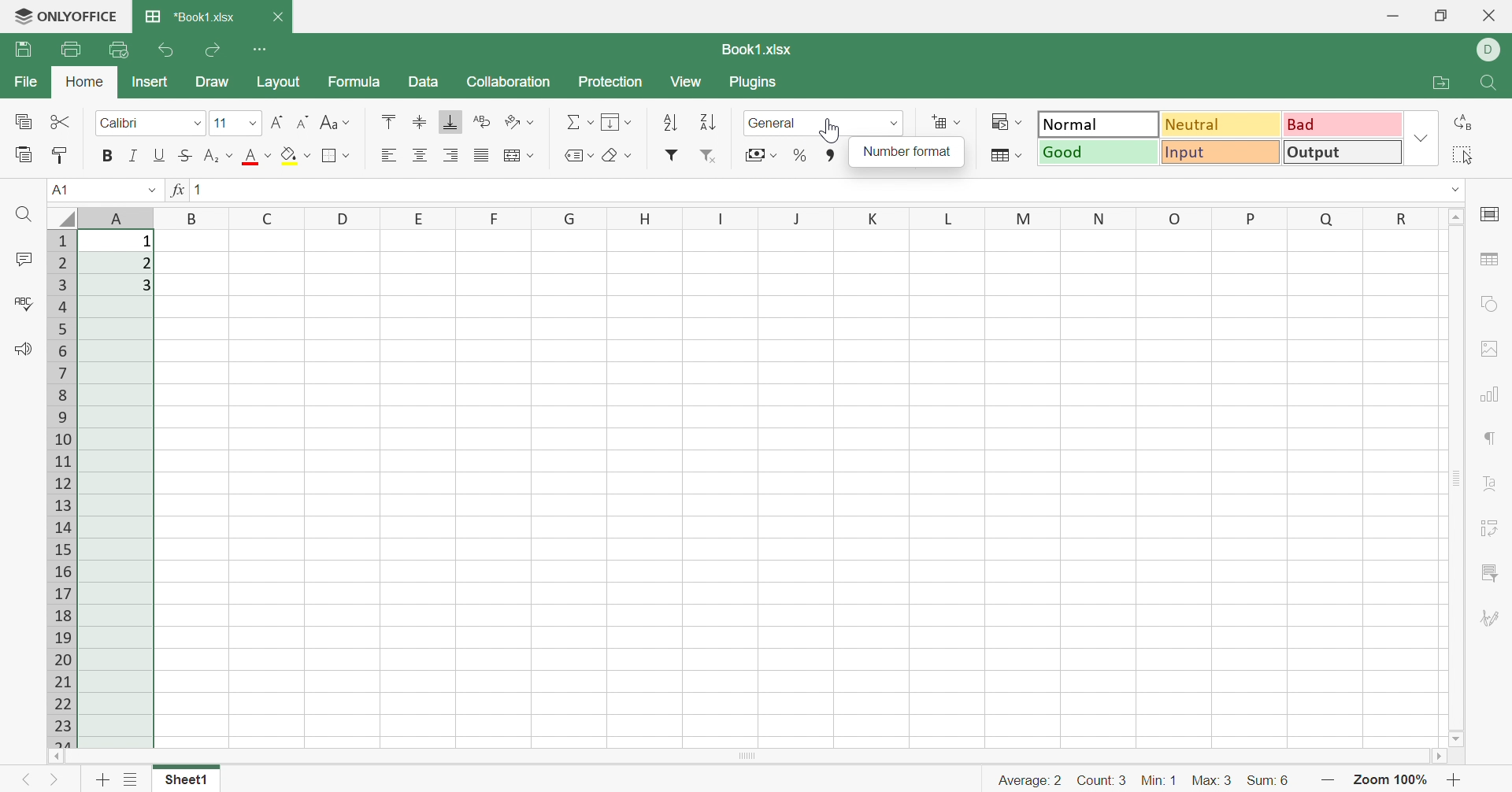  What do you see at coordinates (277, 17) in the screenshot?
I see `Close` at bounding box center [277, 17].